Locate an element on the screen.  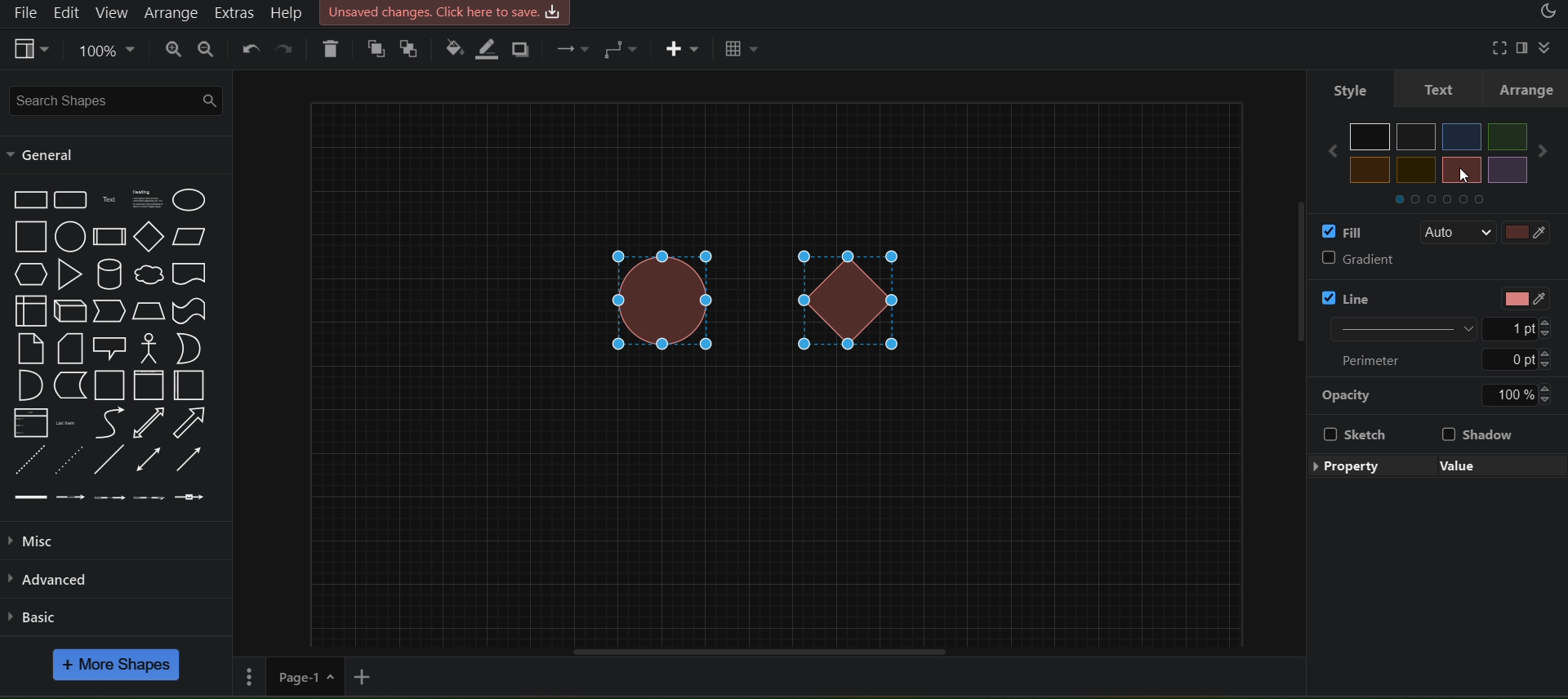
insert is located at coordinates (683, 49).